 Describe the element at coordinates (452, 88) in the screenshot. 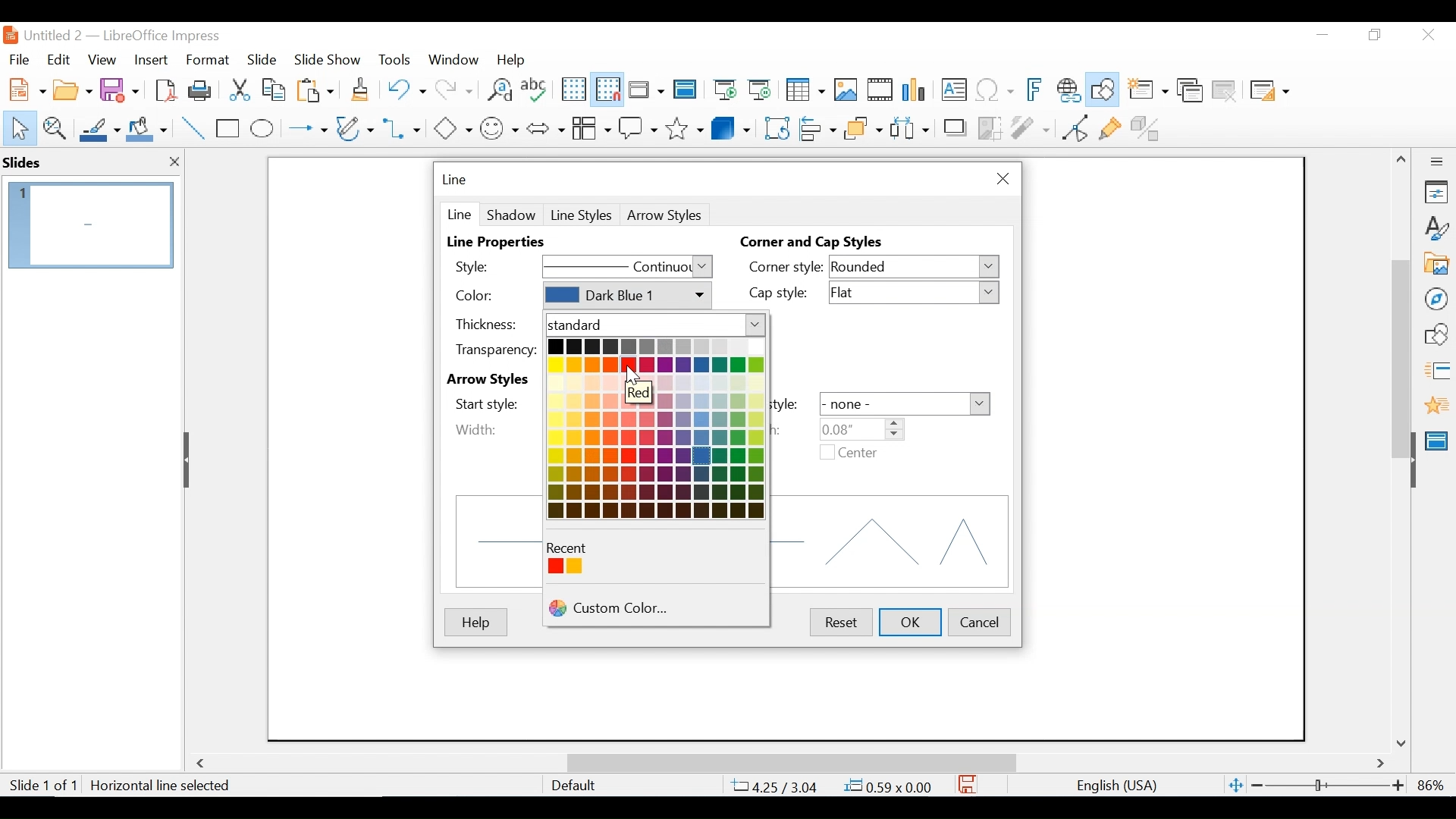

I see `Redo` at that location.